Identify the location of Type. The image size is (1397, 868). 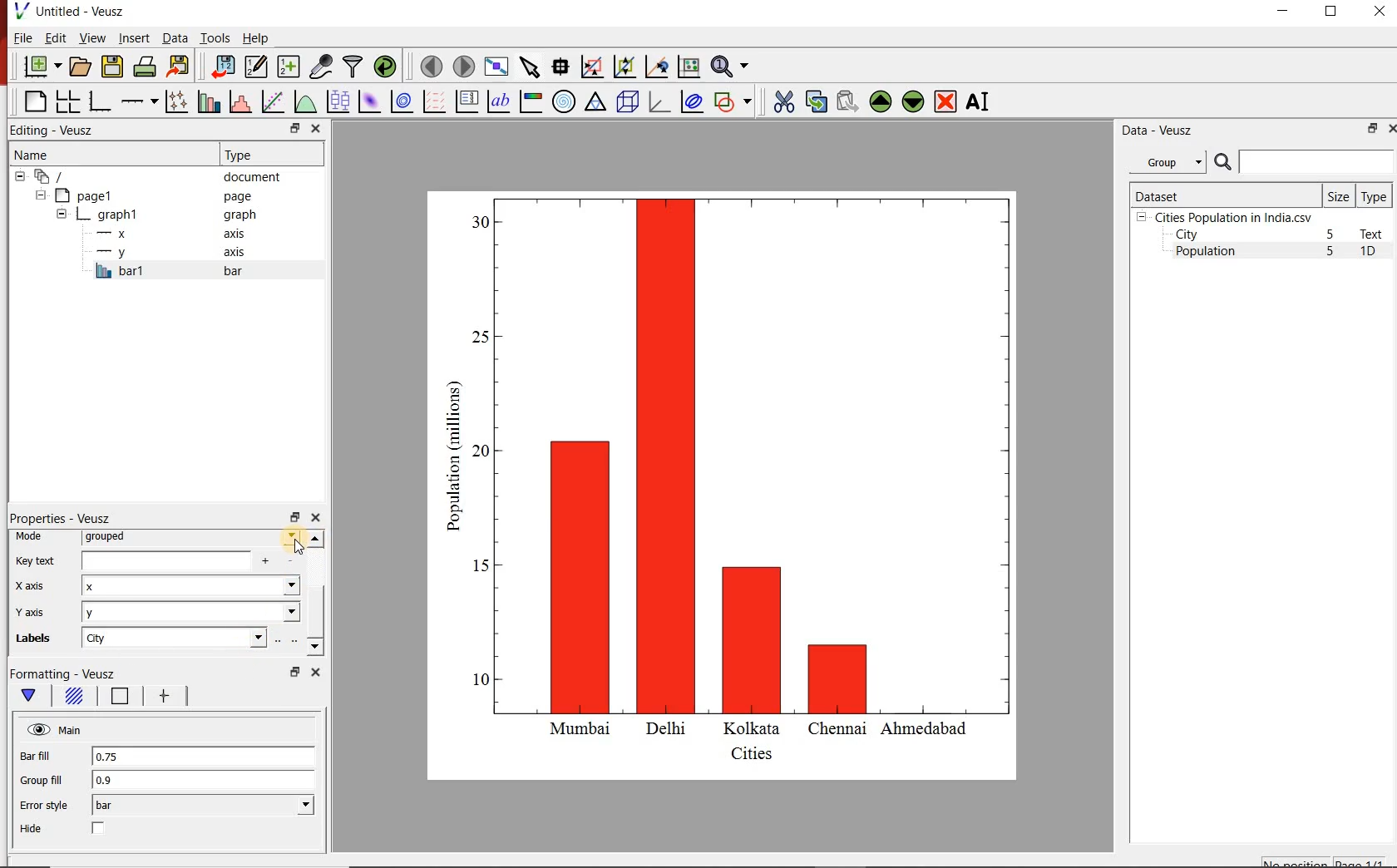
(269, 155).